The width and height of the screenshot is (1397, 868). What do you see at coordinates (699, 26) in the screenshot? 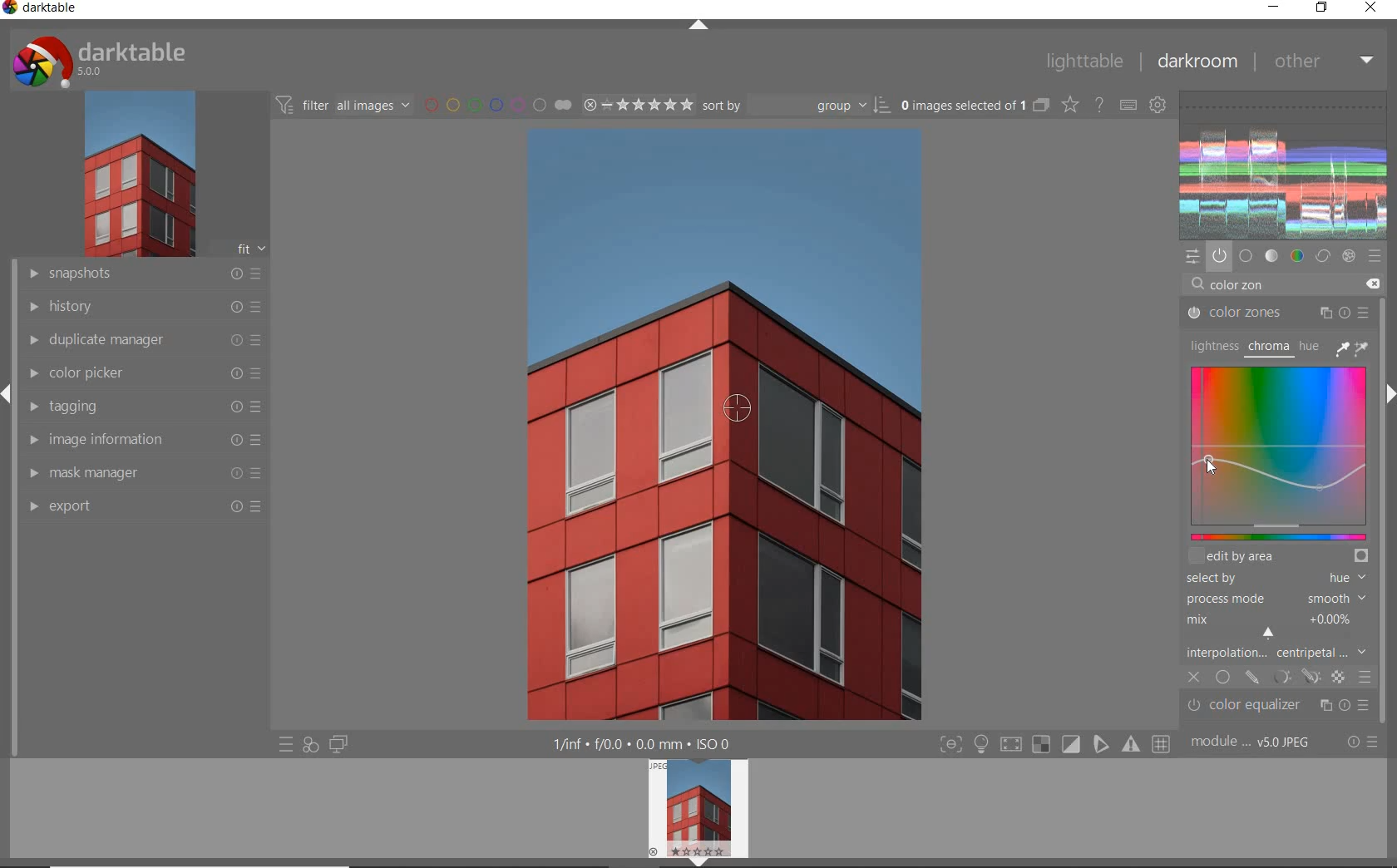
I see `expand/collapse` at bounding box center [699, 26].